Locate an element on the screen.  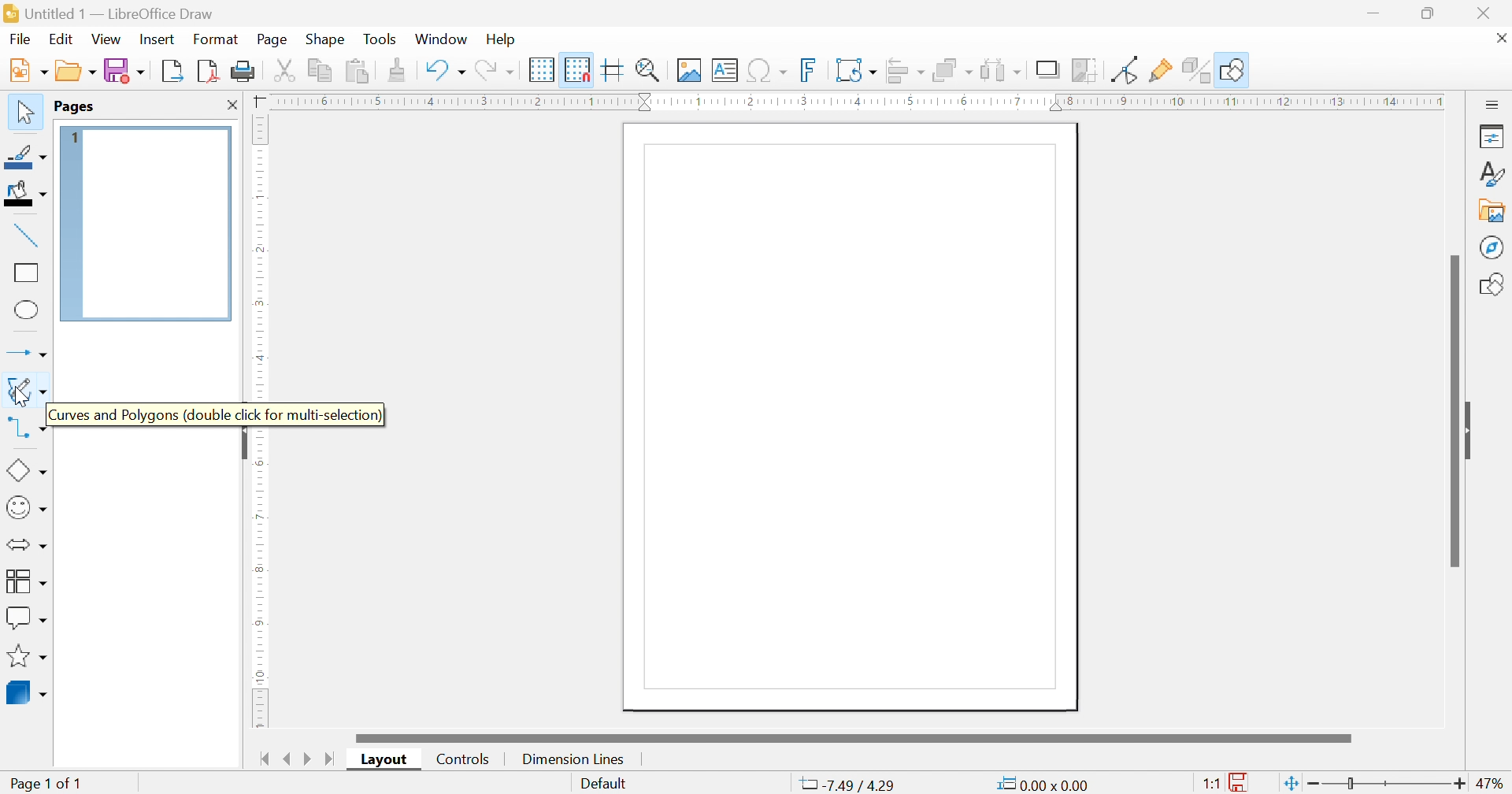
close is located at coordinates (1503, 38).